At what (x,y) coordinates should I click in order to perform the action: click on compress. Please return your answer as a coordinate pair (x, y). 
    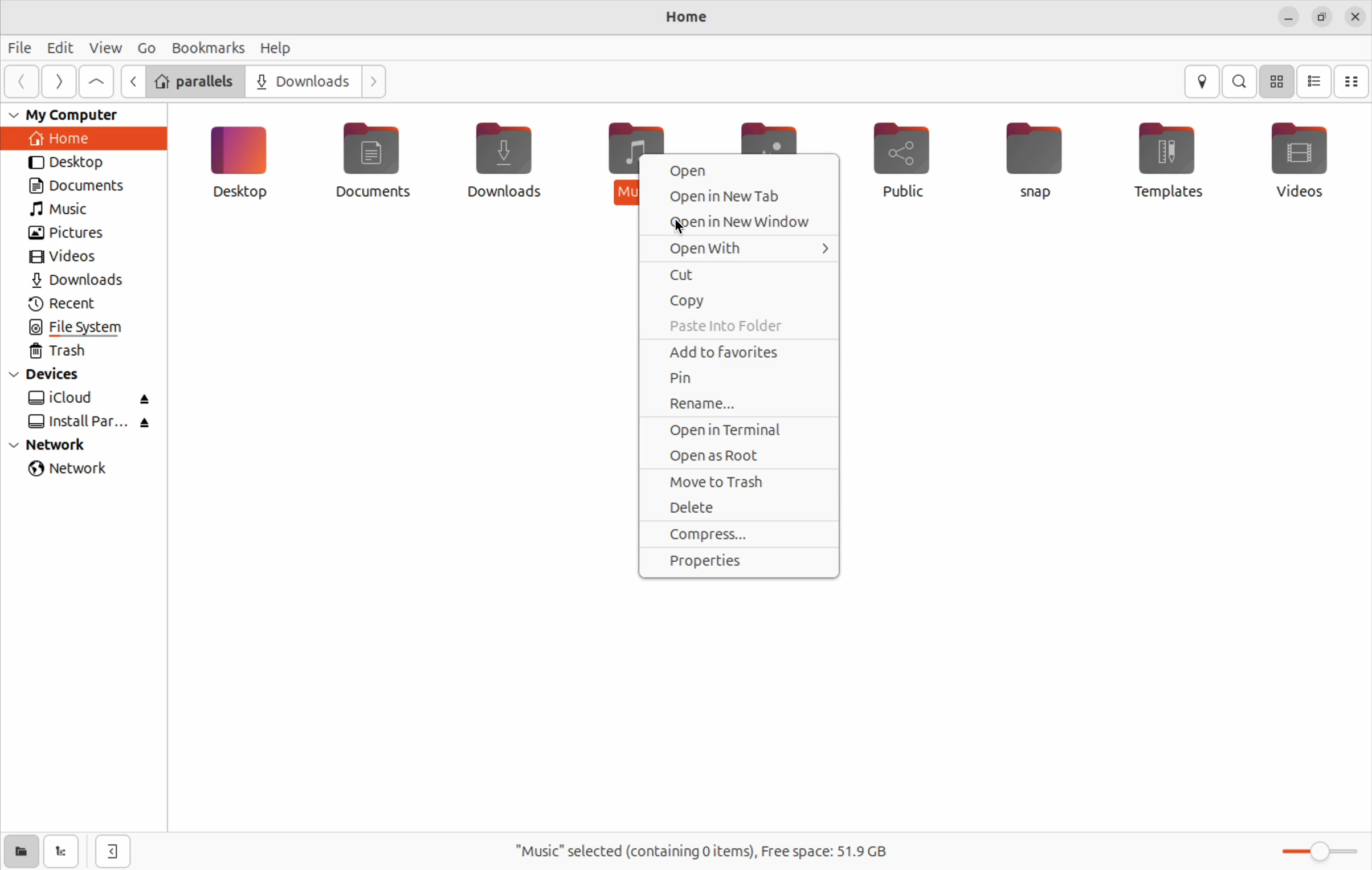
    Looking at the image, I should click on (738, 534).